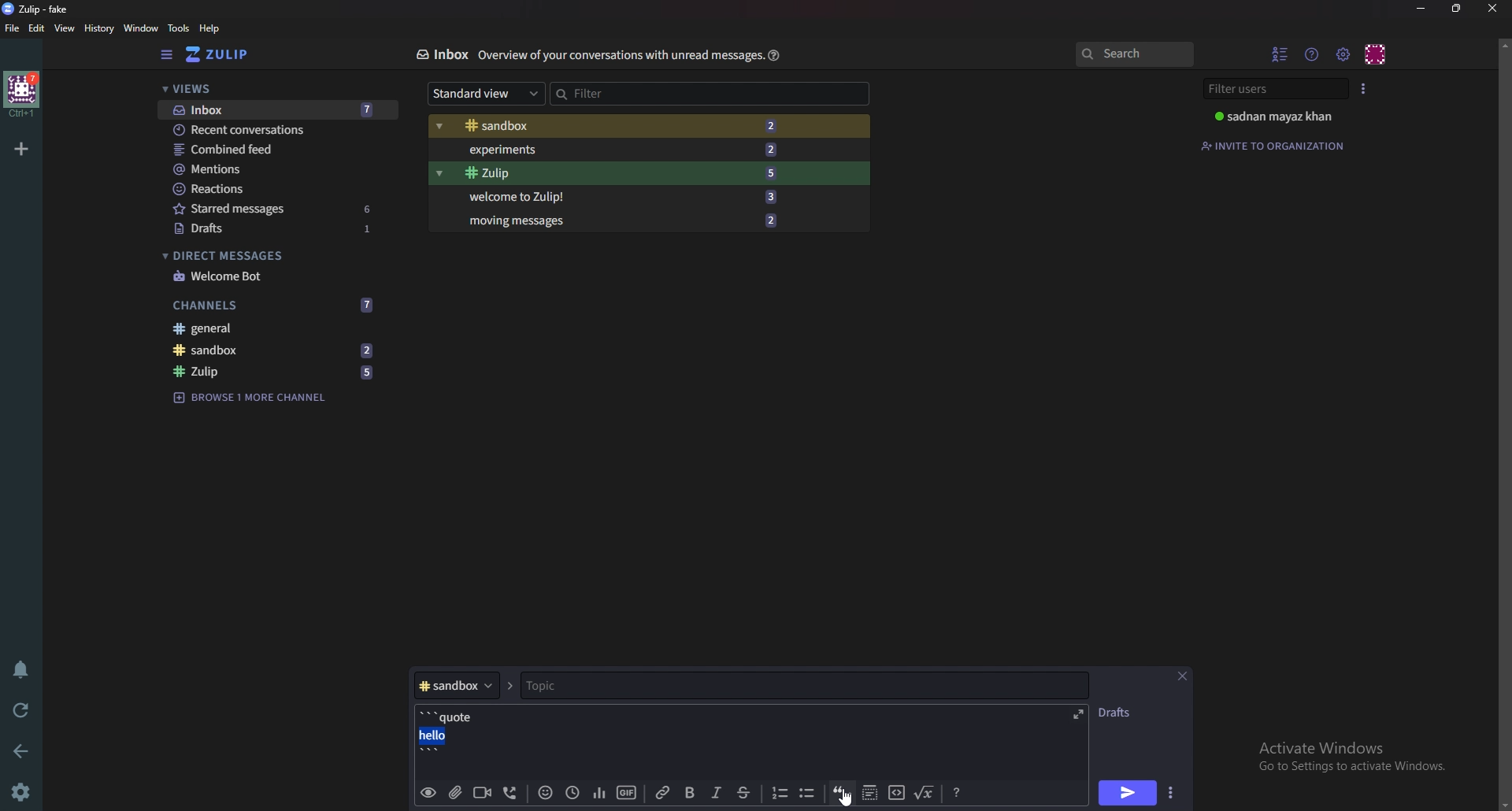  Describe the element at coordinates (25, 749) in the screenshot. I see `back` at that location.